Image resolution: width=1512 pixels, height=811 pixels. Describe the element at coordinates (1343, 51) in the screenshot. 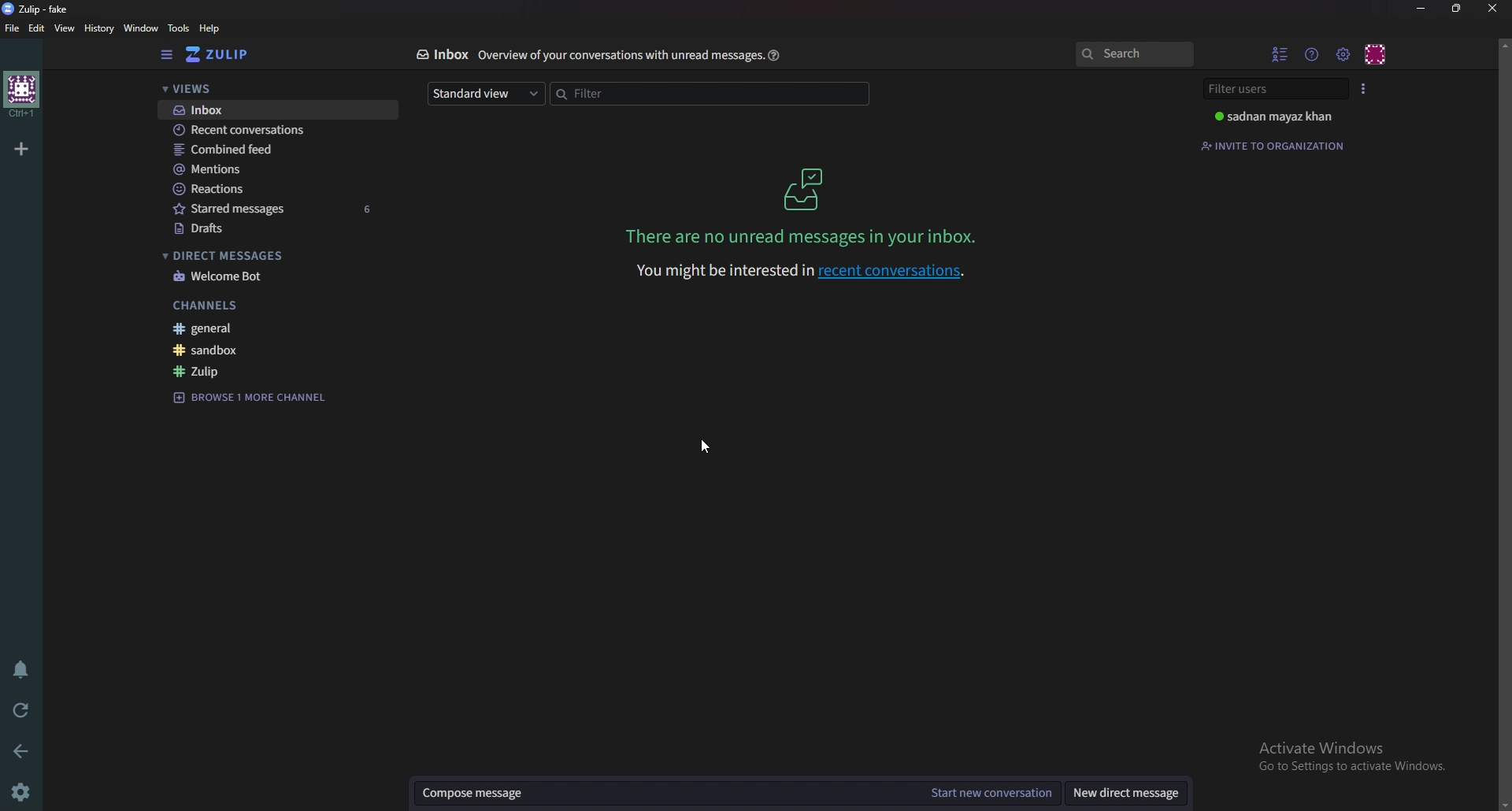

I see `main menu` at that location.